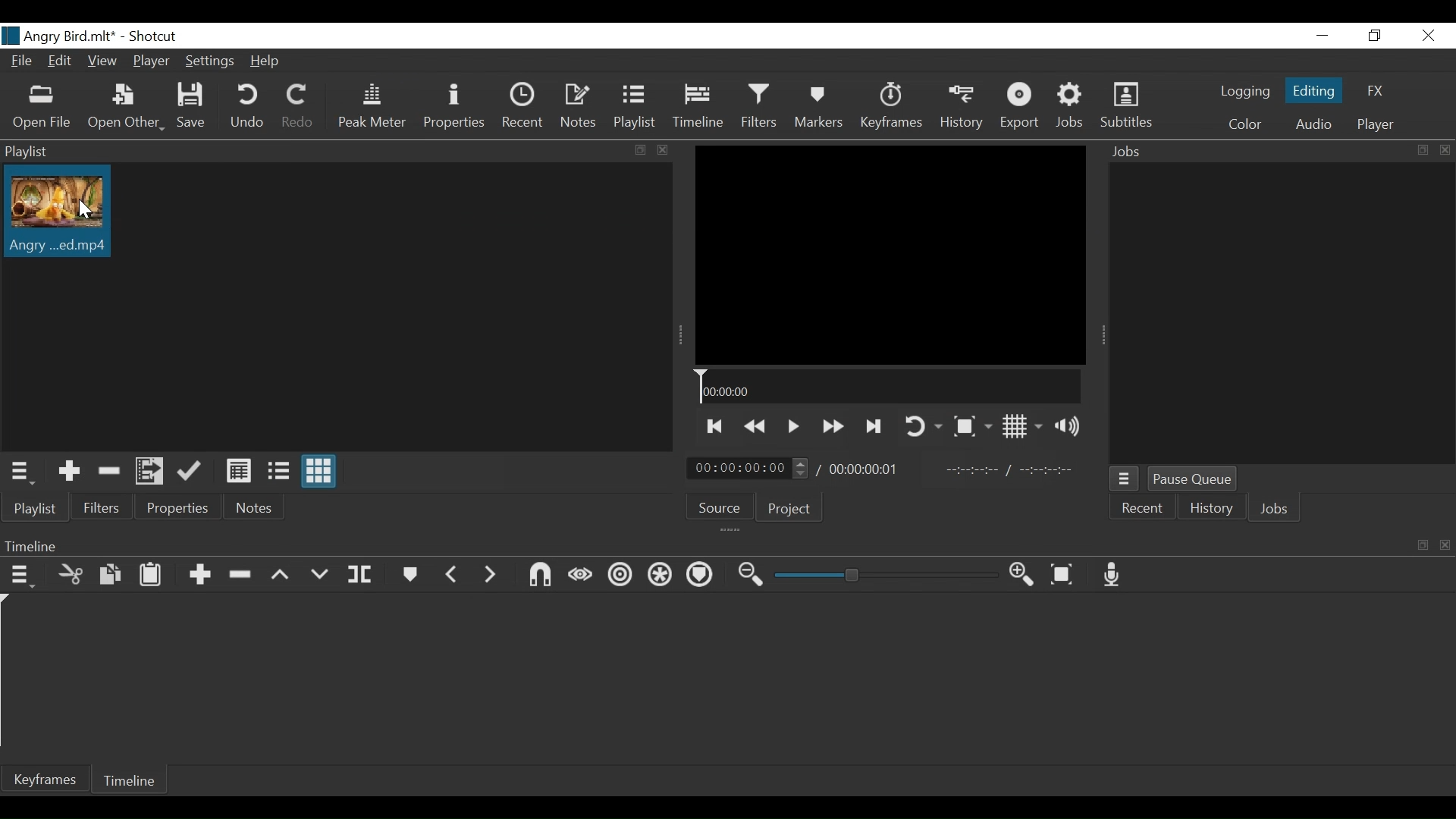 The image size is (1456, 819). What do you see at coordinates (1021, 106) in the screenshot?
I see `Export` at bounding box center [1021, 106].